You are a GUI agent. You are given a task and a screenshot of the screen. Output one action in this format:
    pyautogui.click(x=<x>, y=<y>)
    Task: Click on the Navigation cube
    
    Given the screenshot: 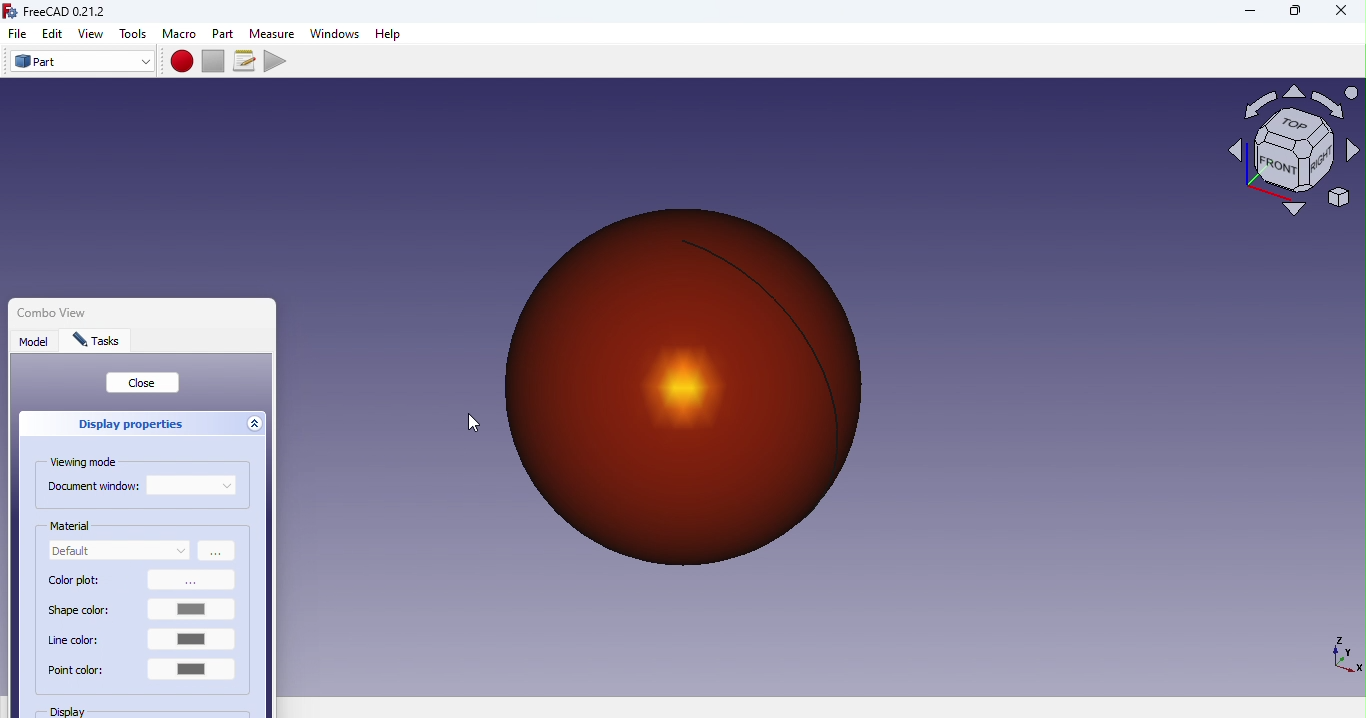 What is the action you would take?
    pyautogui.click(x=1293, y=158)
    